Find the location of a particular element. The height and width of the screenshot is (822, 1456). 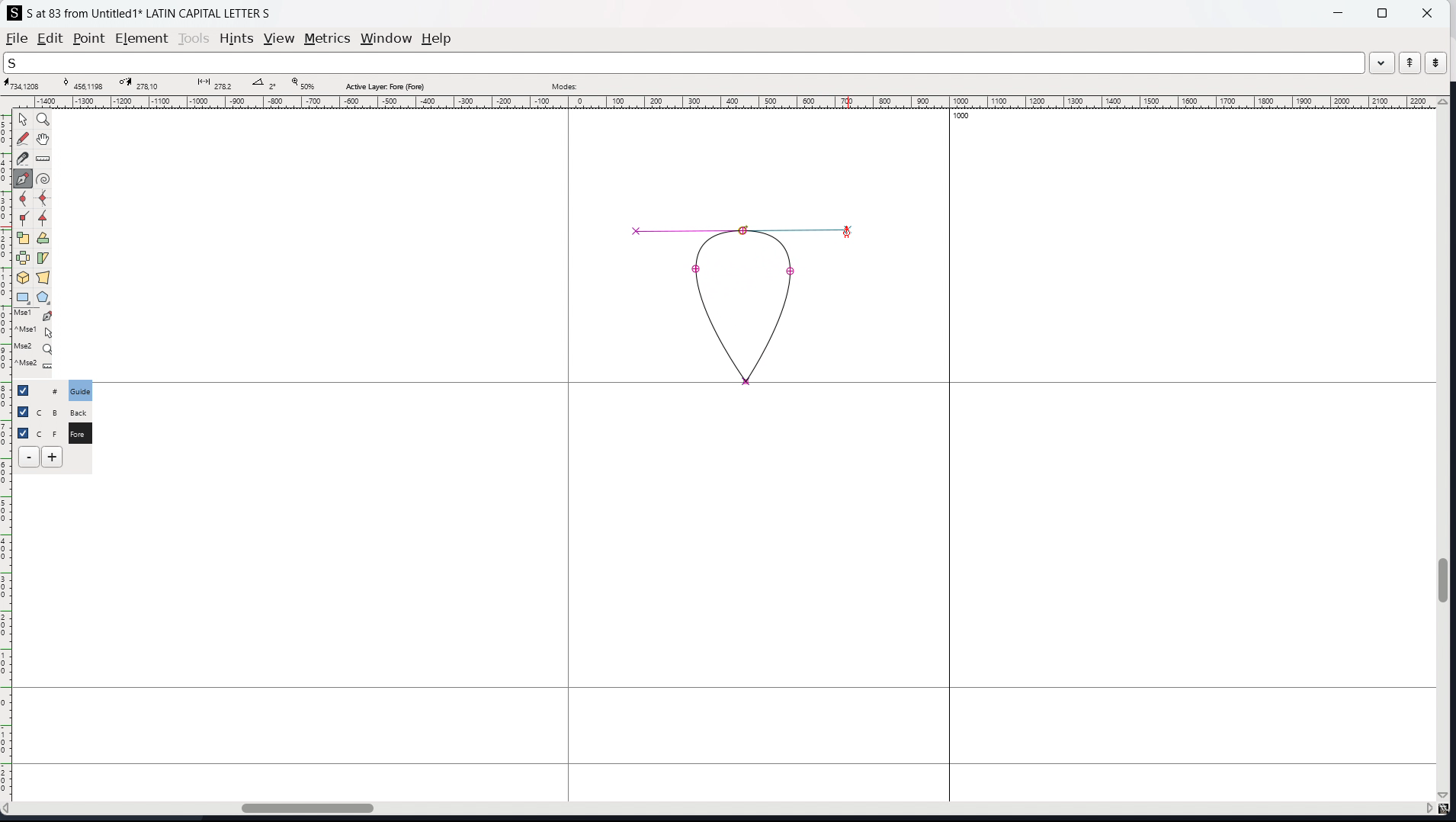

curve drawn is located at coordinates (746, 297).